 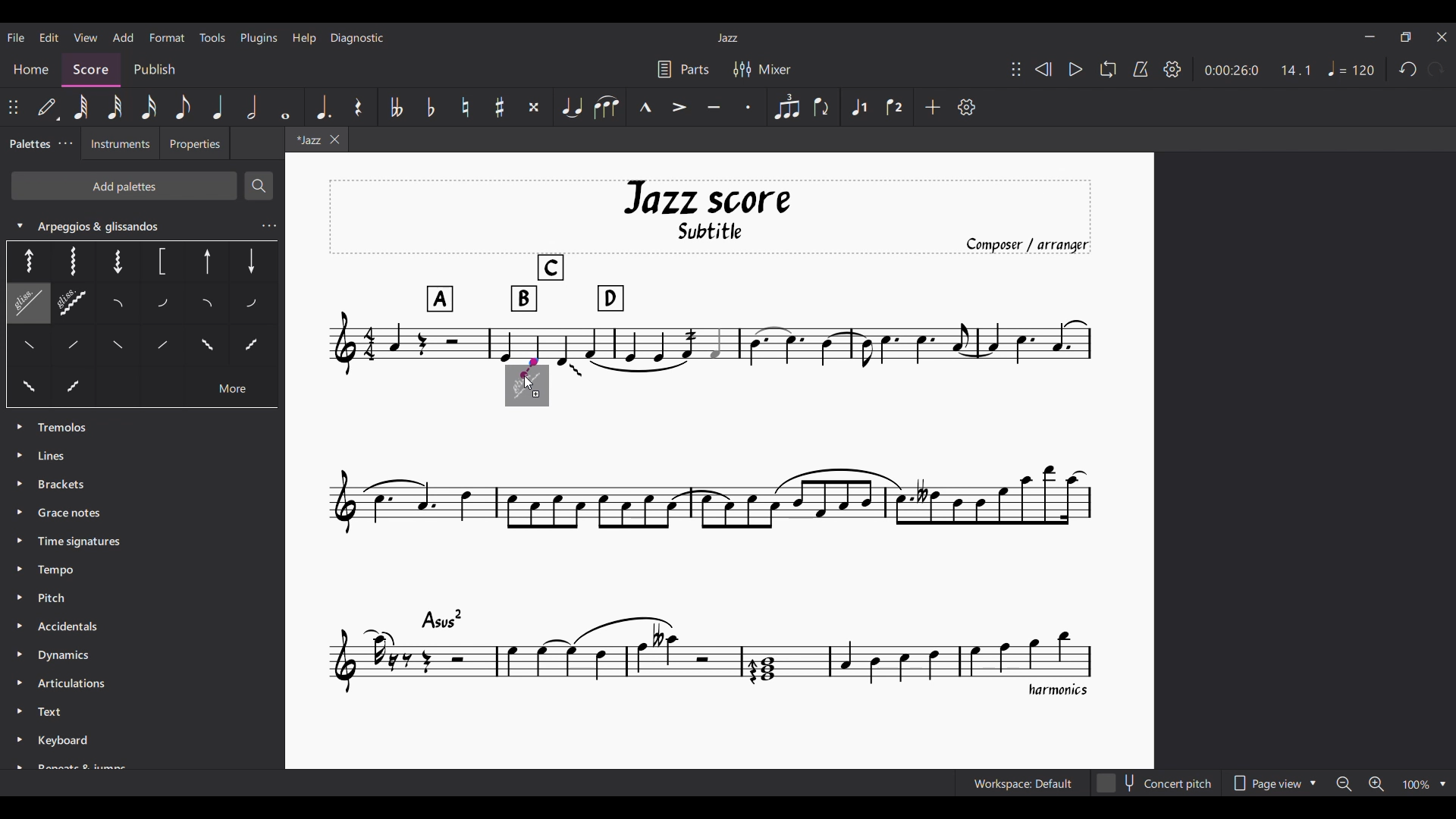 What do you see at coordinates (823, 107) in the screenshot?
I see `Flip direction` at bounding box center [823, 107].